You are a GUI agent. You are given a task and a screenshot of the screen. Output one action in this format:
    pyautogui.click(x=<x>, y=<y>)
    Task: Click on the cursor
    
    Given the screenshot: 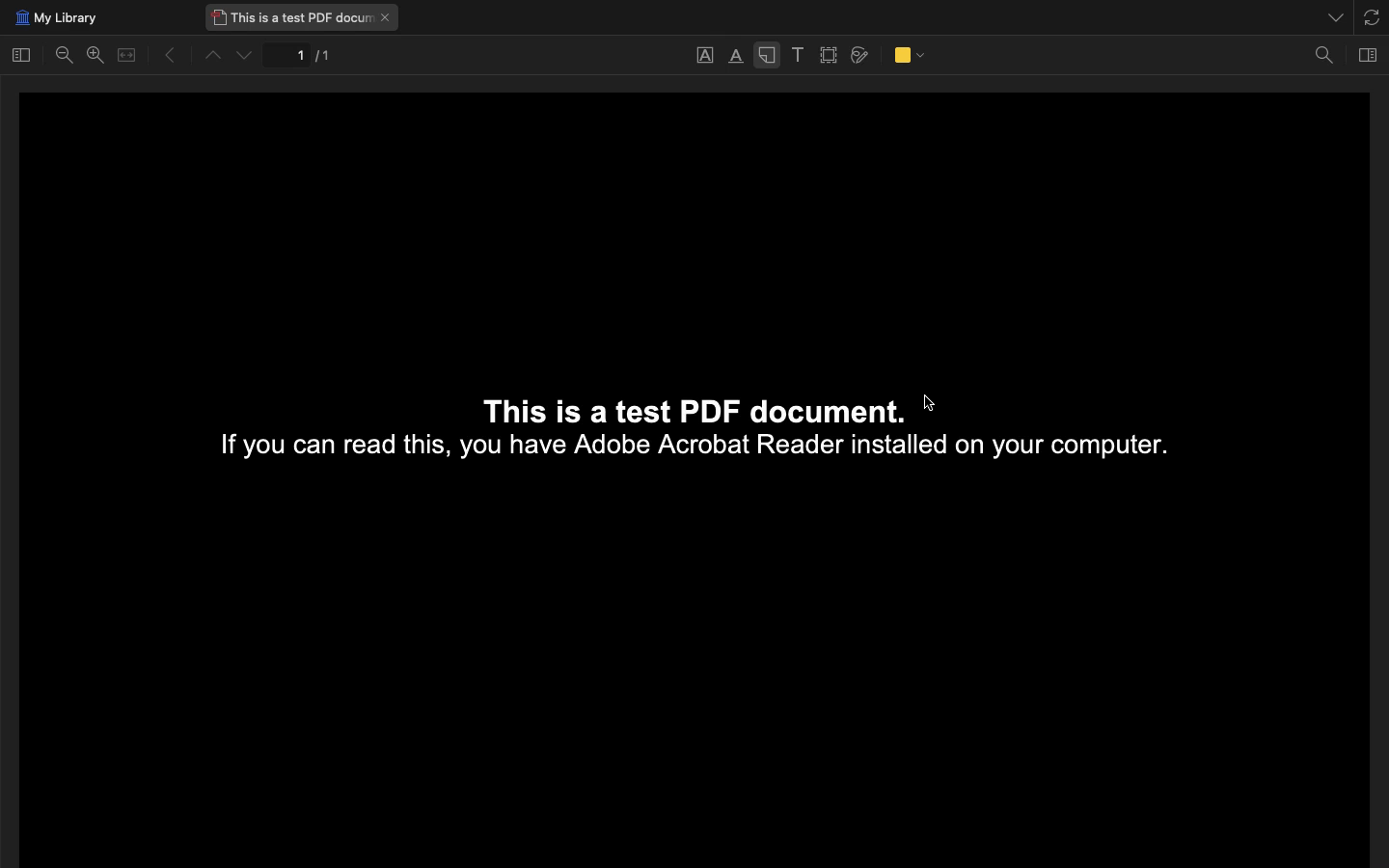 What is the action you would take?
    pyautogui.click(x=931, y=403)
    